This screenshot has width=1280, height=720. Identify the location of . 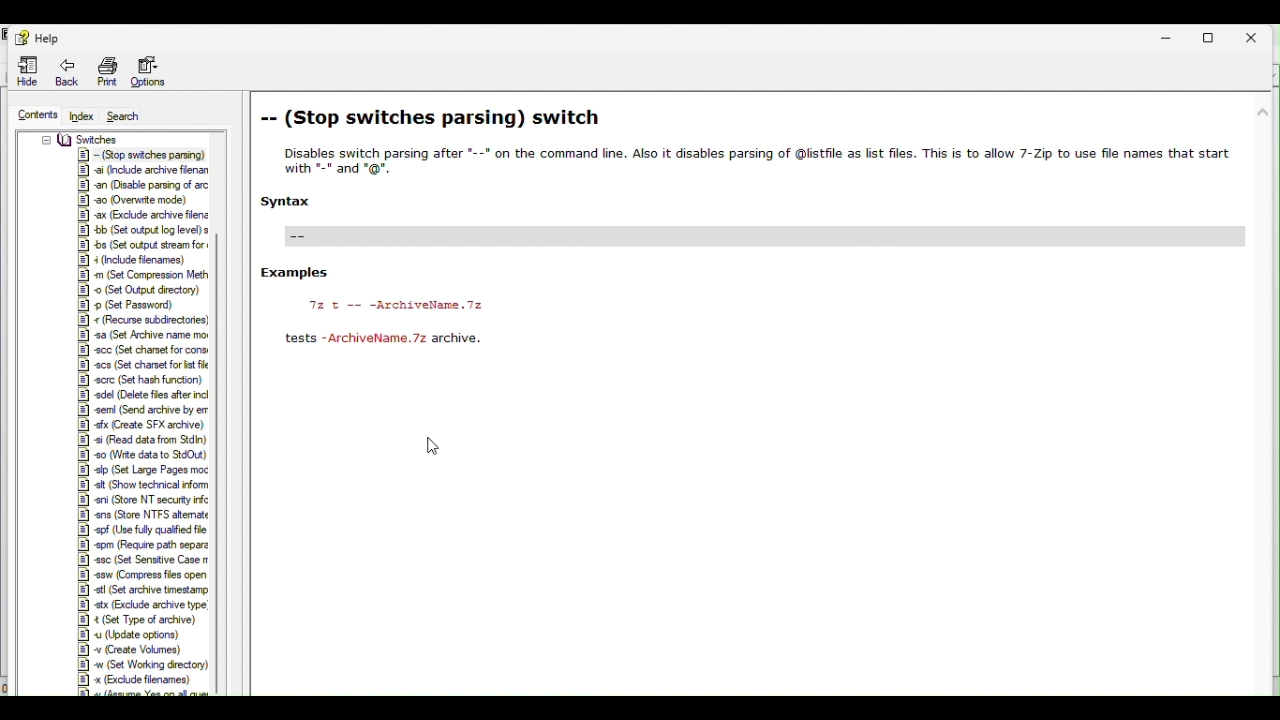
(146, 335).